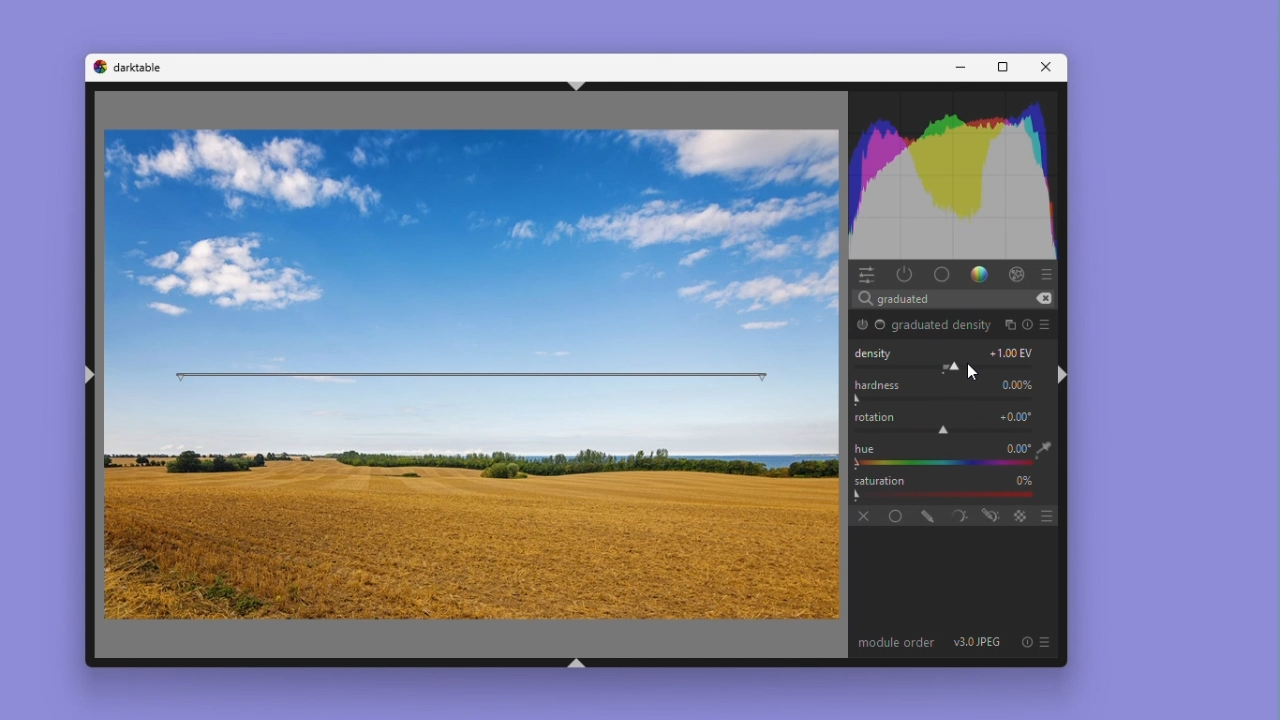  I want to click on drawn mask, so click(926, 516).